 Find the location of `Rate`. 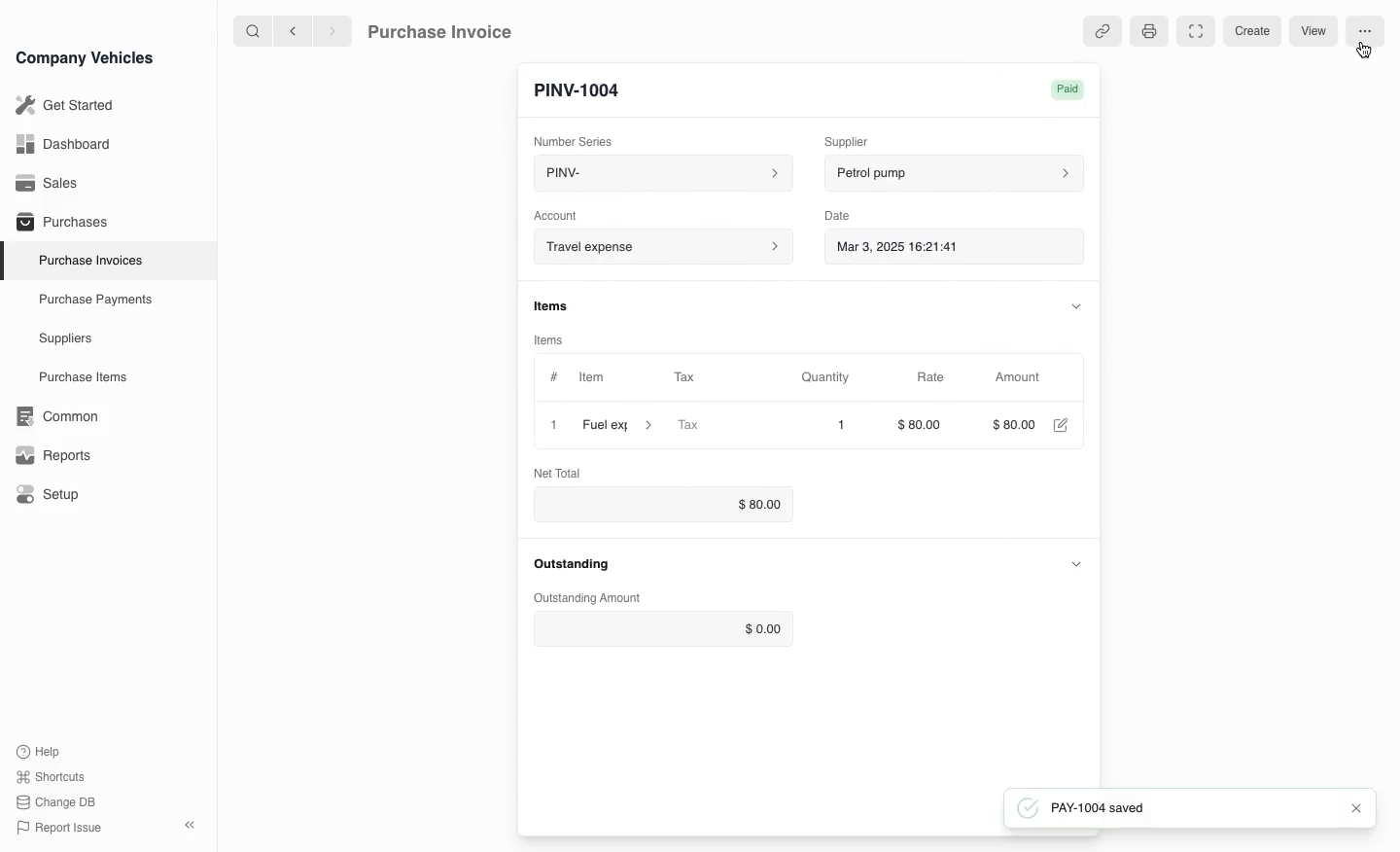

Rate is located at coordinates (931, 374).